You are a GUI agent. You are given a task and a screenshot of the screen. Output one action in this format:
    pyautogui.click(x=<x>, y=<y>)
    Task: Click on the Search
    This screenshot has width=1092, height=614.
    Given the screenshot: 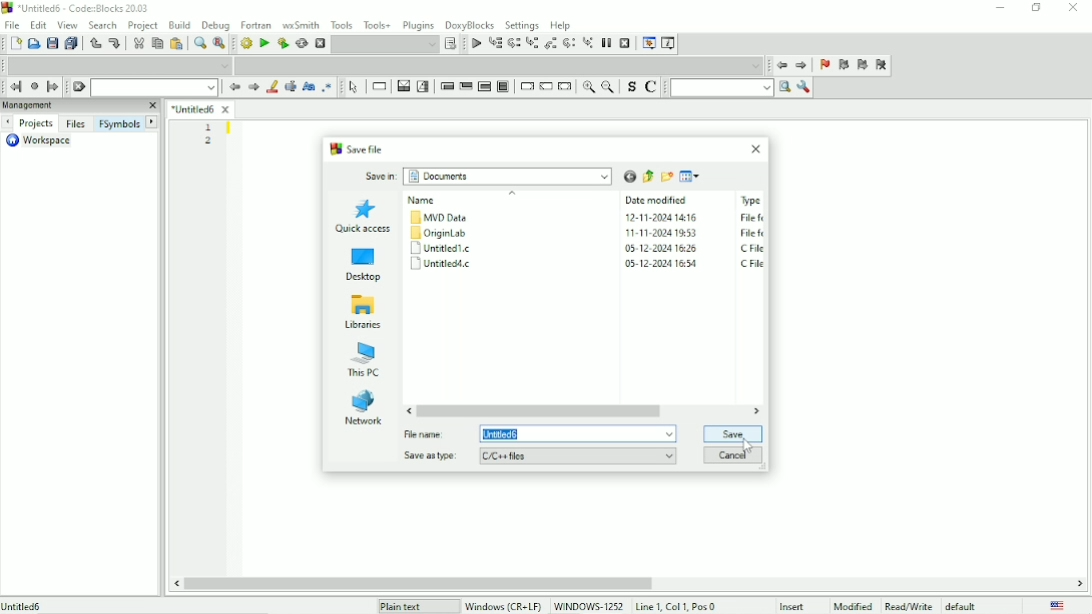 What is the action you would take?
    pyautogui.click(x=103, y=24)
    